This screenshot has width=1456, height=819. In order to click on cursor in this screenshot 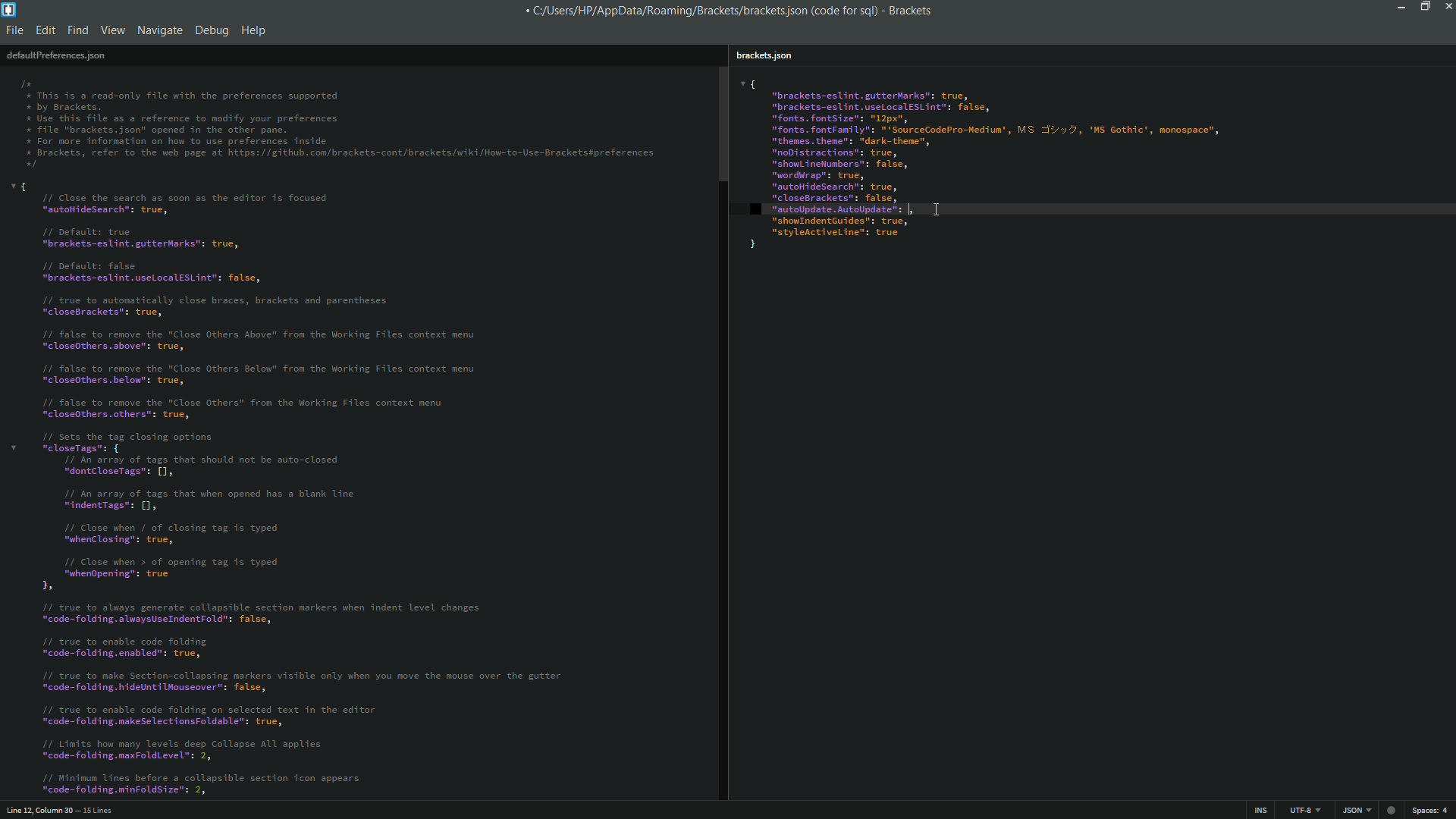, I will do `click(912, 209)`.